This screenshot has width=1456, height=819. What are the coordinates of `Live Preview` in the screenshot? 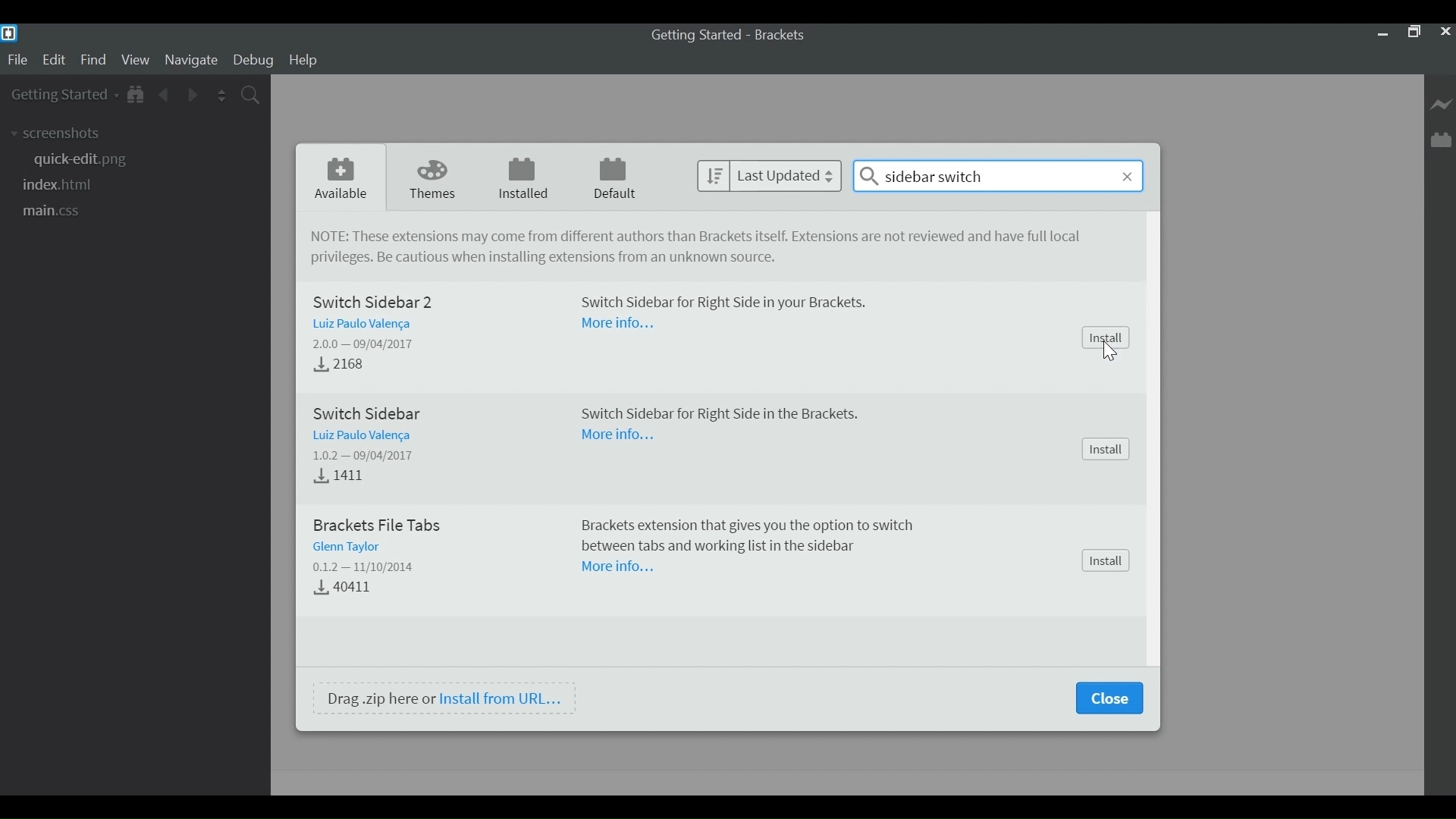 It's located at (1442, 102).